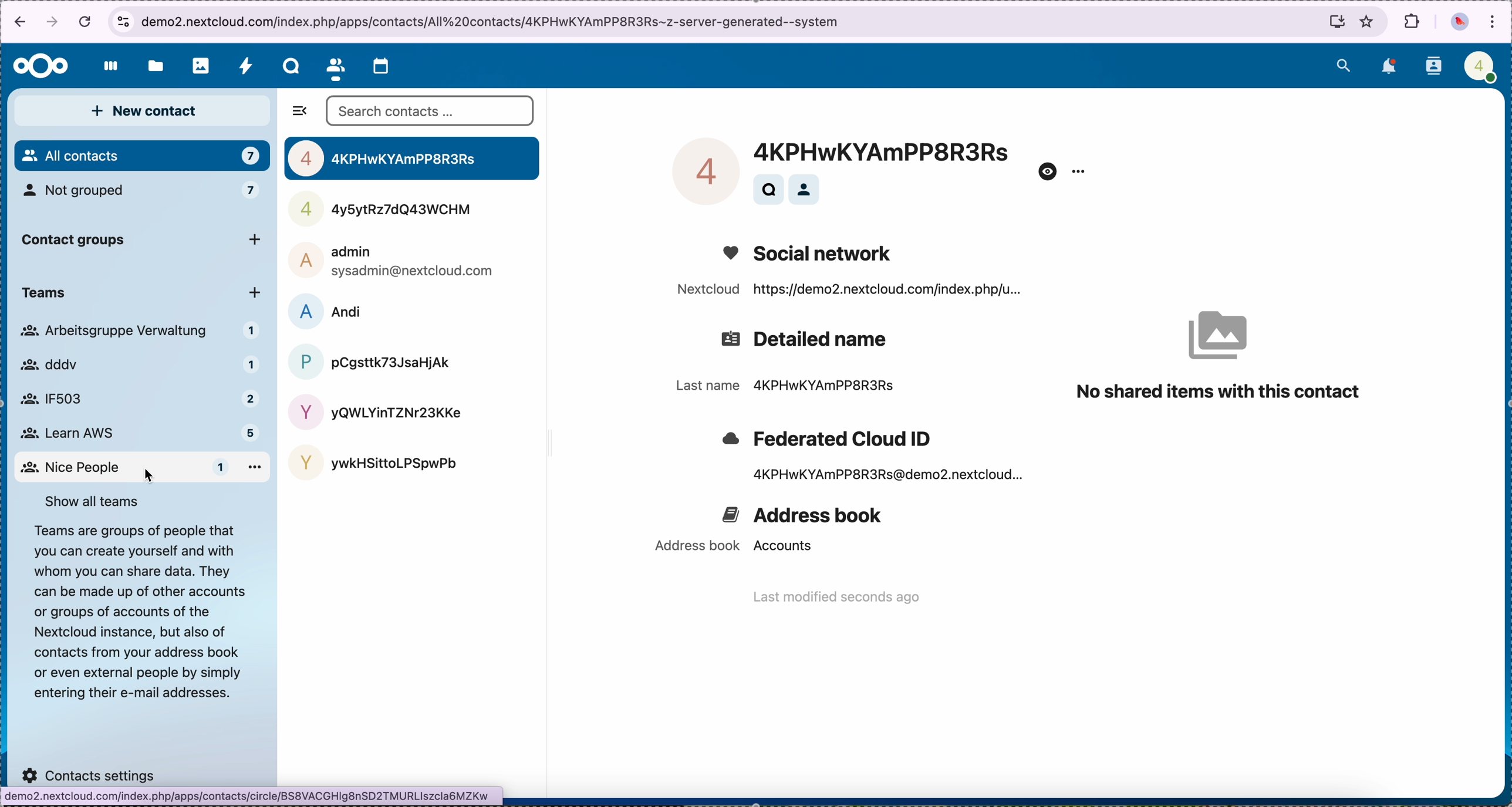 The image size is (1512, 807). I want to click on description, so click(138, 614).